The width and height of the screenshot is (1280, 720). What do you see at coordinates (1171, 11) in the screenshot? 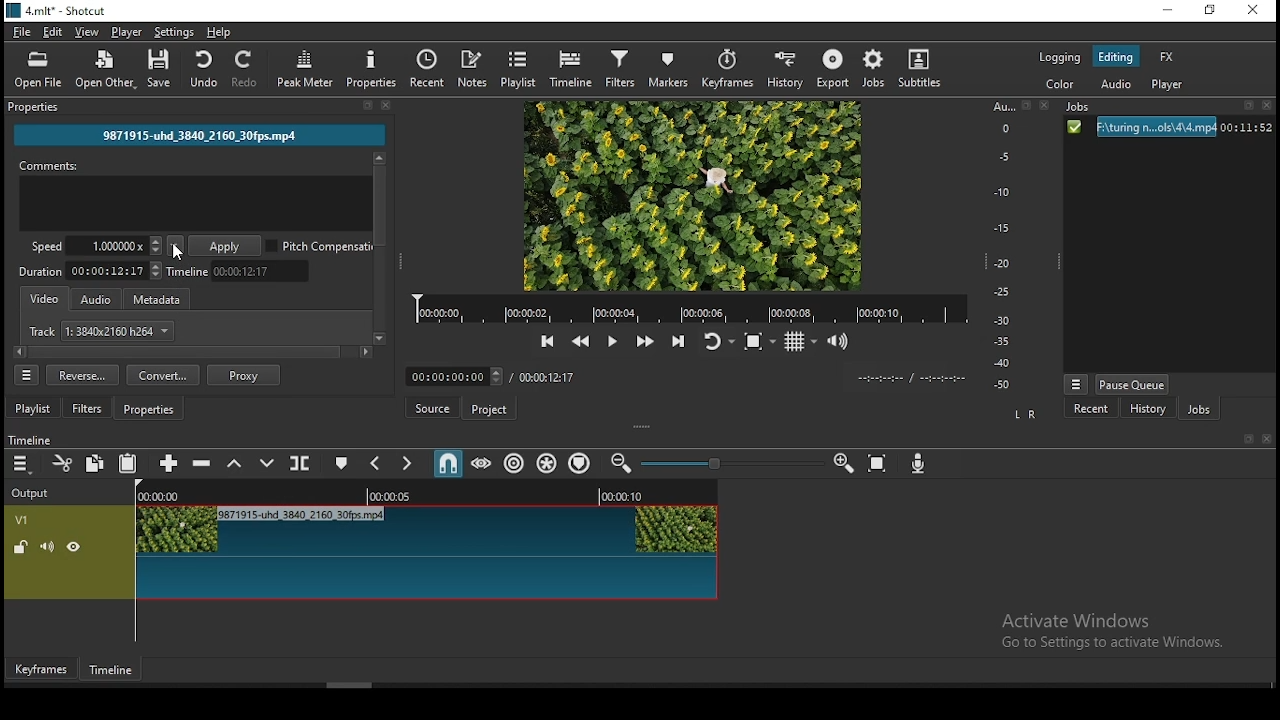
I see `minimize` at bounding box center [1171, 11].